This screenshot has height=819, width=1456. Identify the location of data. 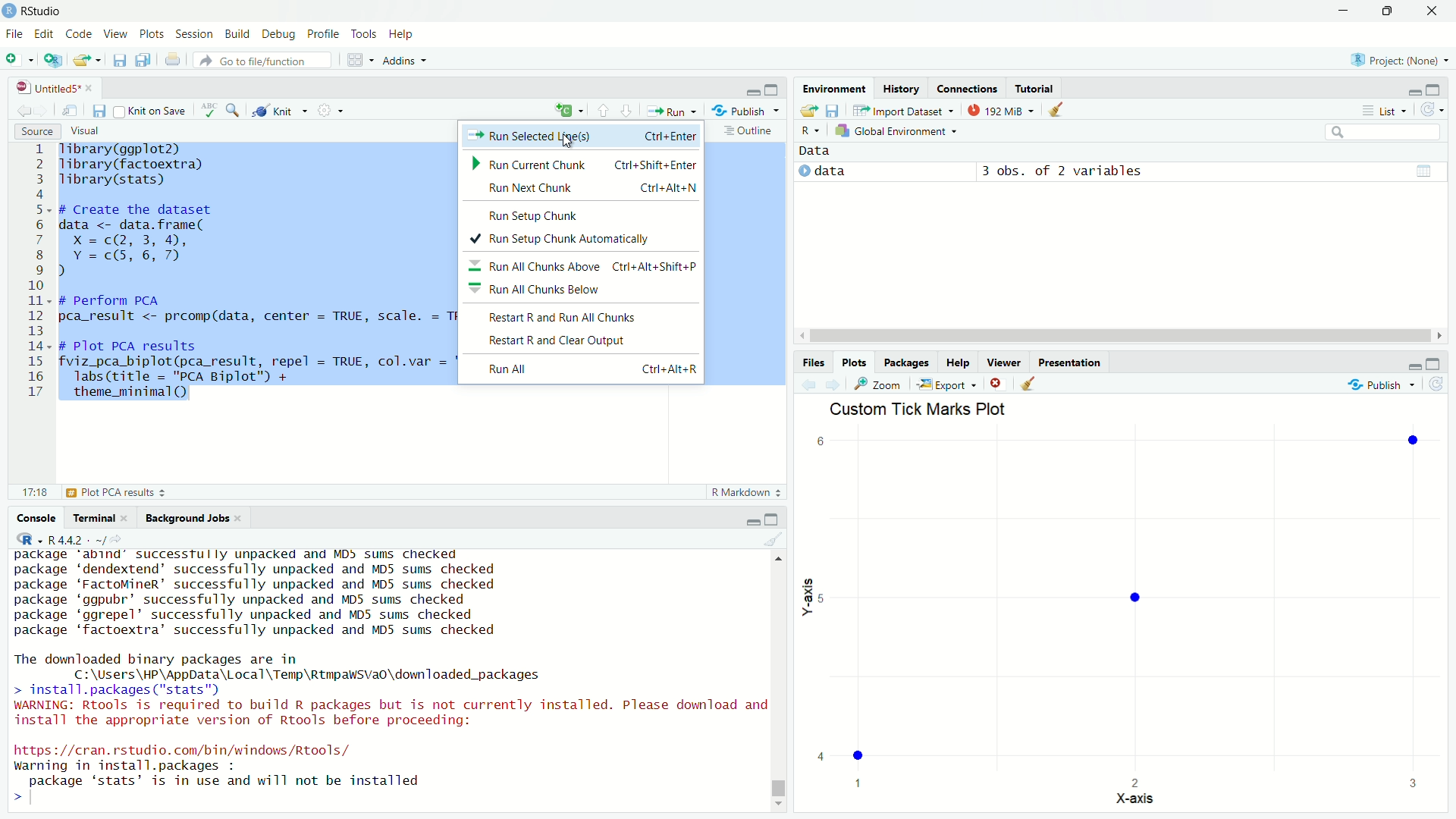
(827, 172).